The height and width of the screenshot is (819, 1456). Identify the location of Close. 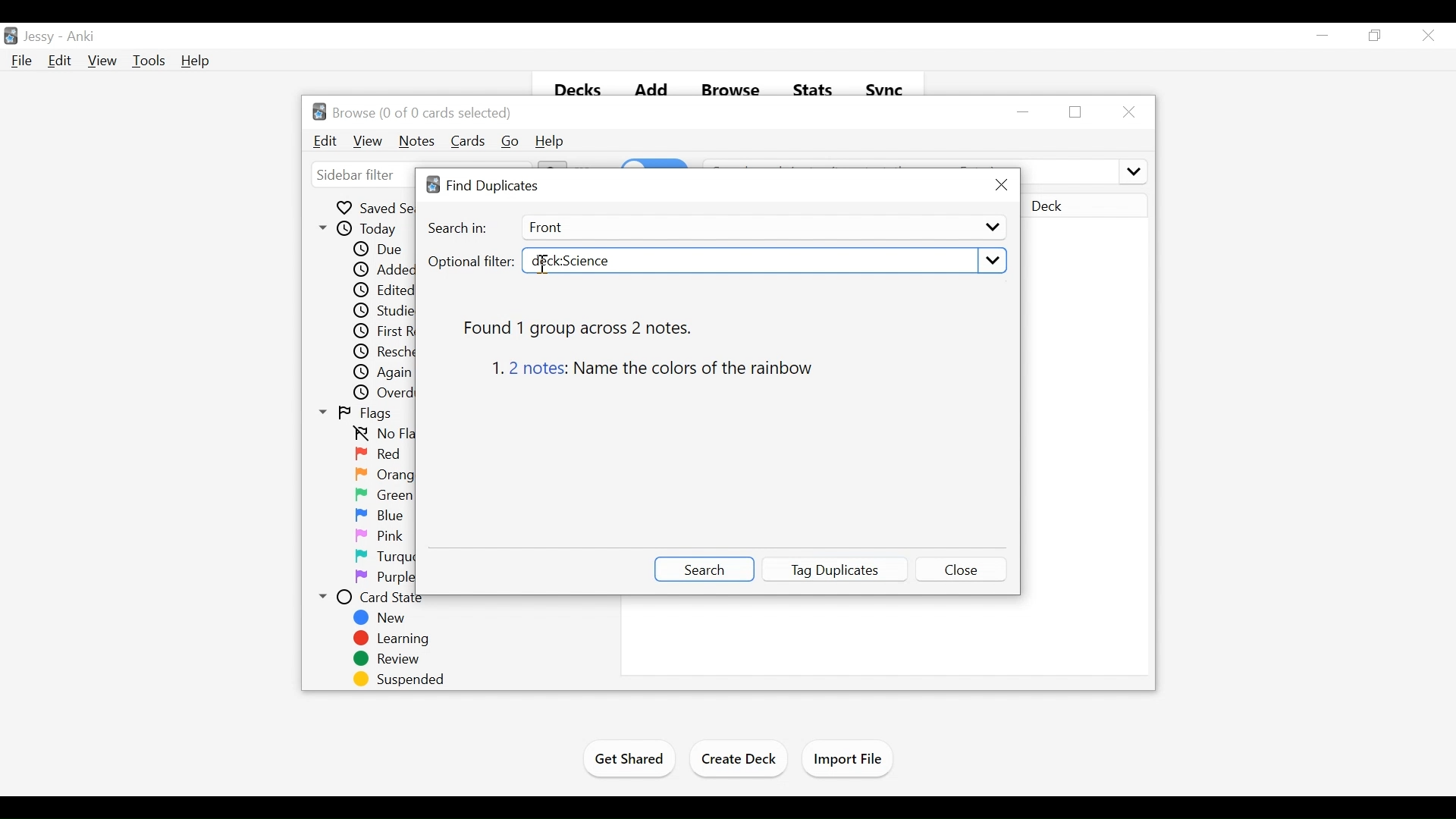
(963, 568).